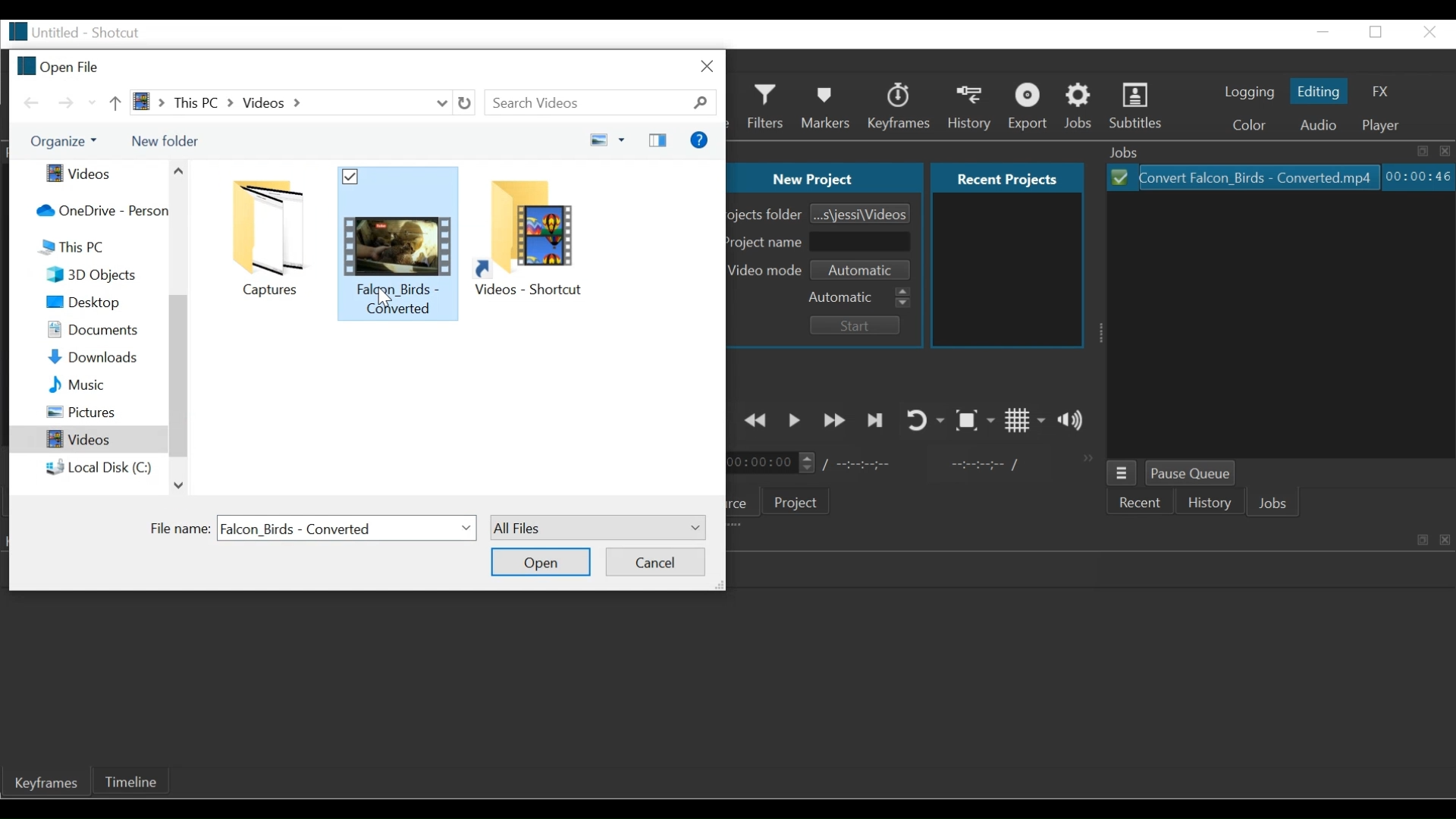 The image size is (1456, 819). Describe the element at coordinates (1418, 176) in the screenshot. I see `Elapsed: Hours: Minutes: Seconds` at that location.